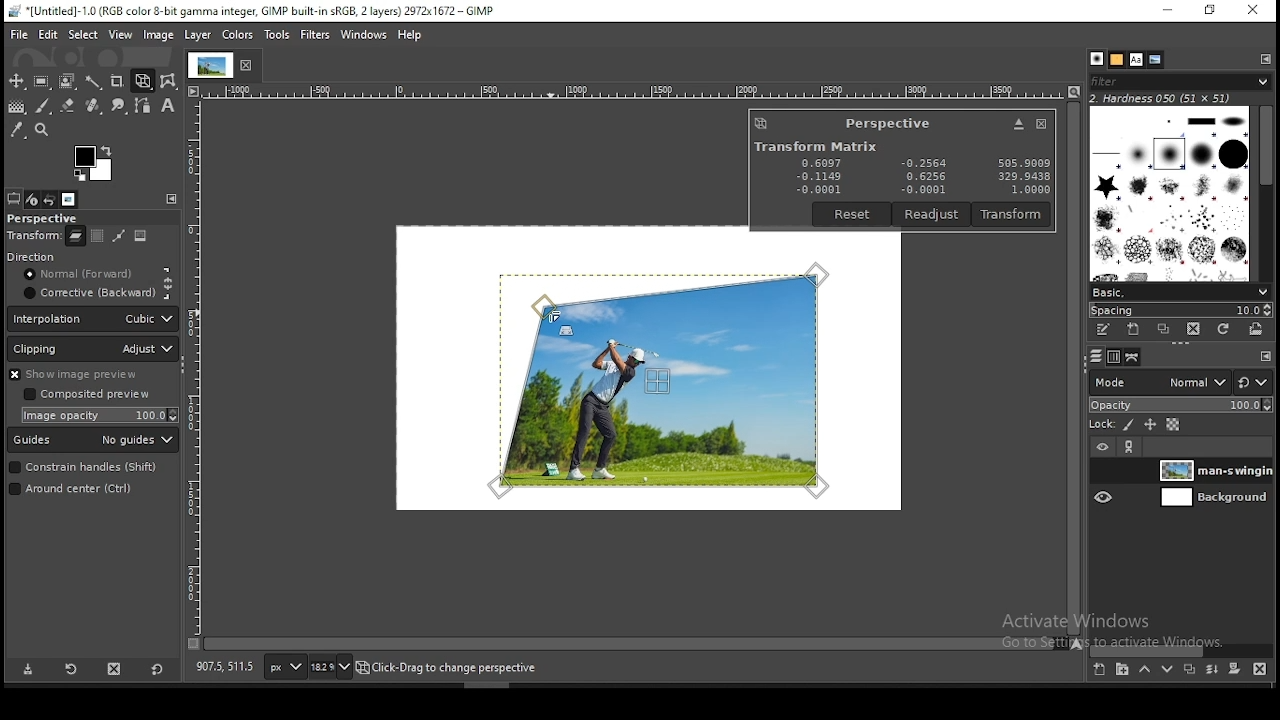  Describe the element at coordinates (819, 189) in the screenshot. I see `-0.0001` at that location.